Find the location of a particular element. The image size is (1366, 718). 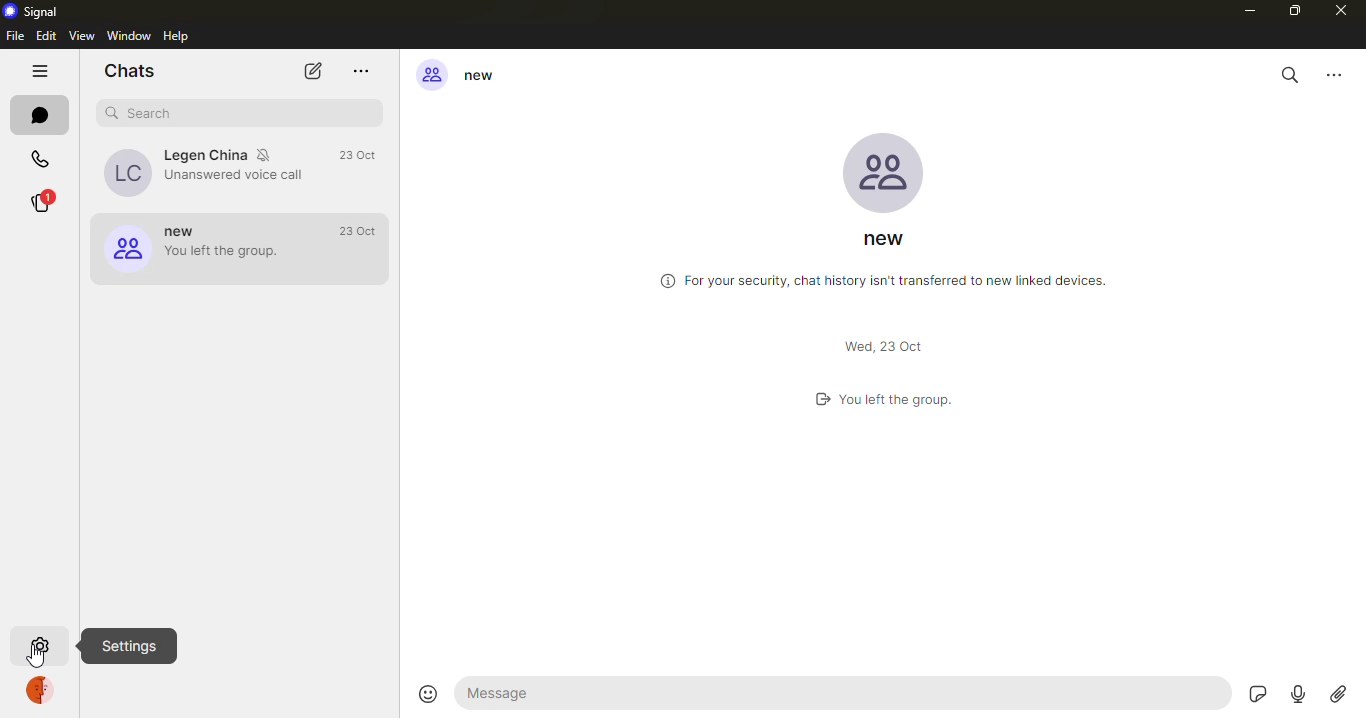

new is located at coordinates (891, 240).